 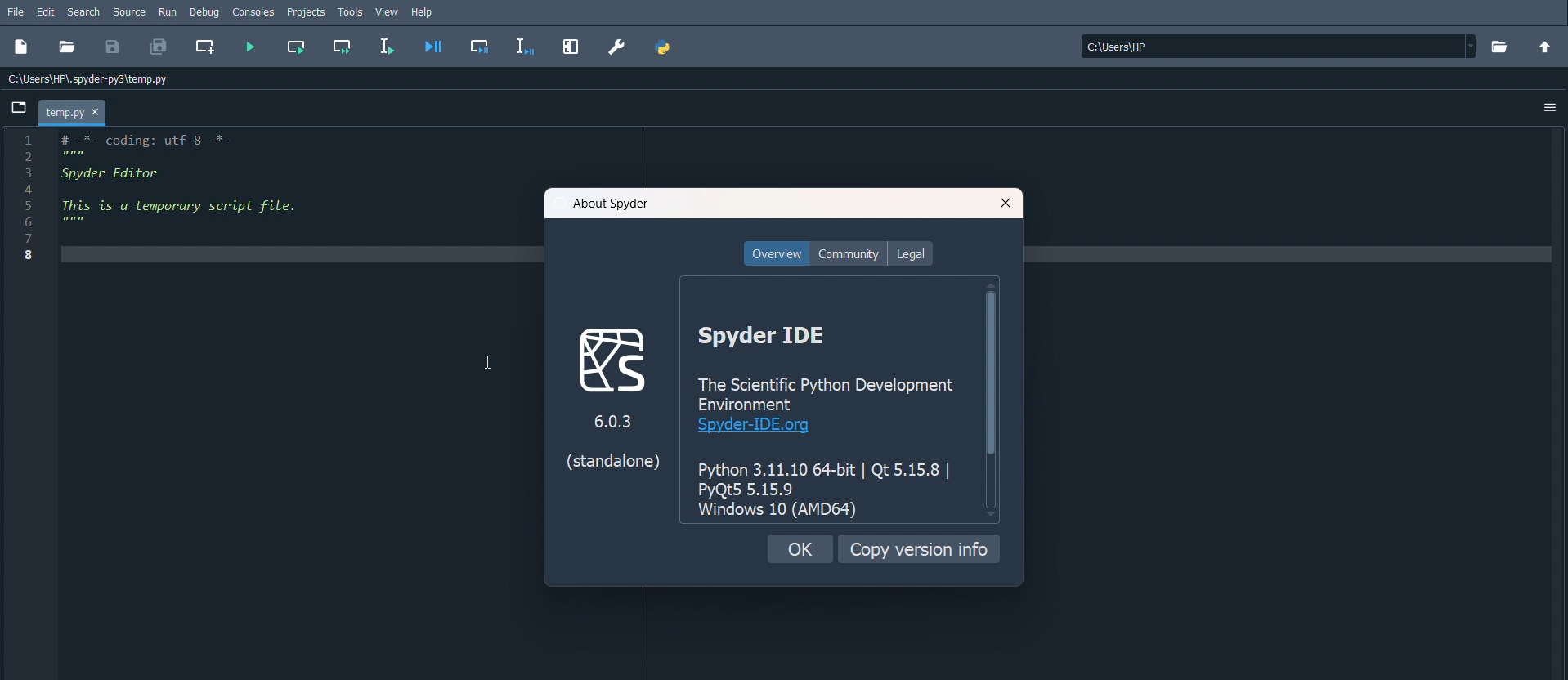 I want to click on Run selection or current line, so click(x=386, y=45).